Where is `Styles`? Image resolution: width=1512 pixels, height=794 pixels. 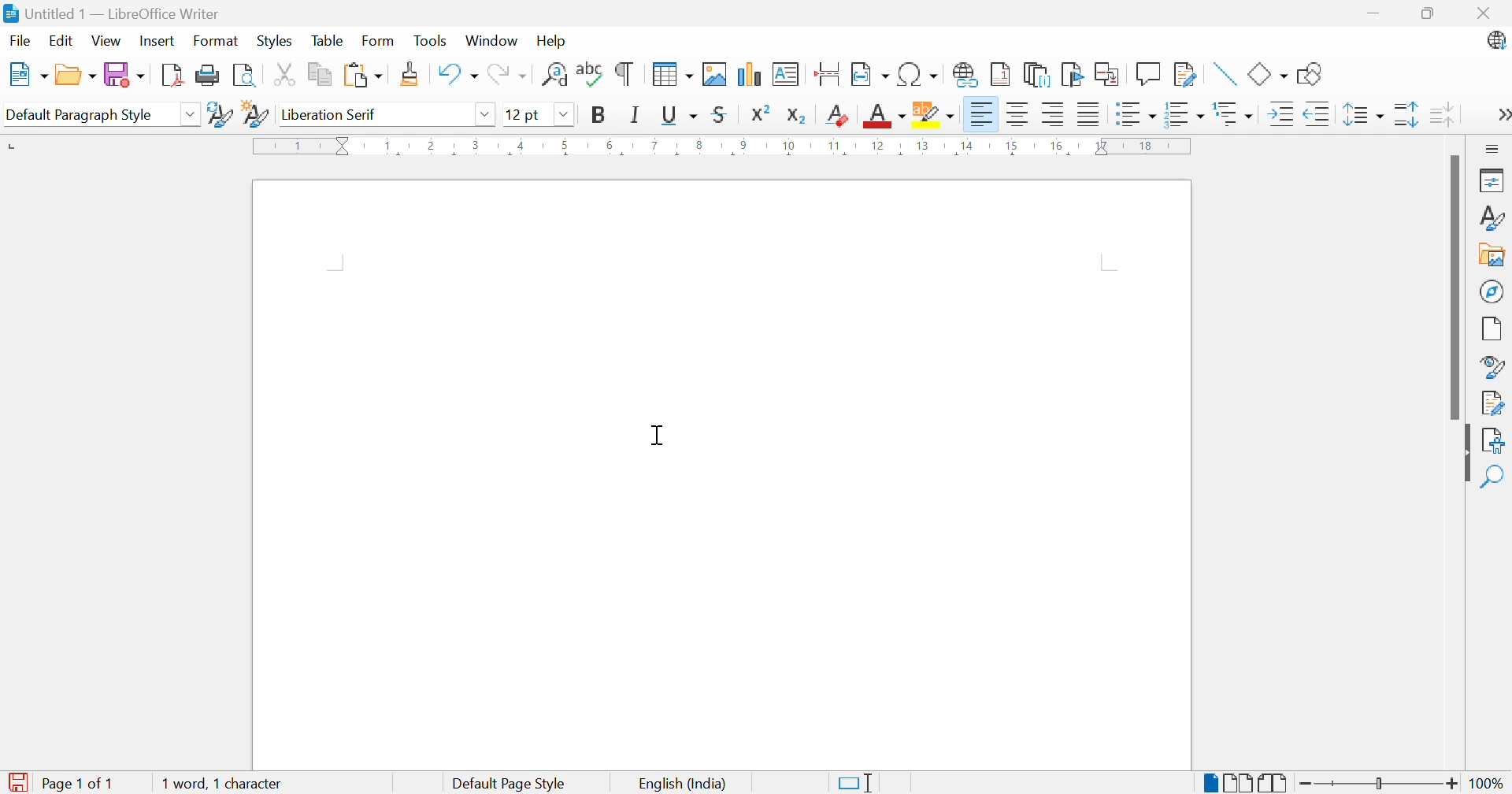 Styles is located at coordinates (273, 43).